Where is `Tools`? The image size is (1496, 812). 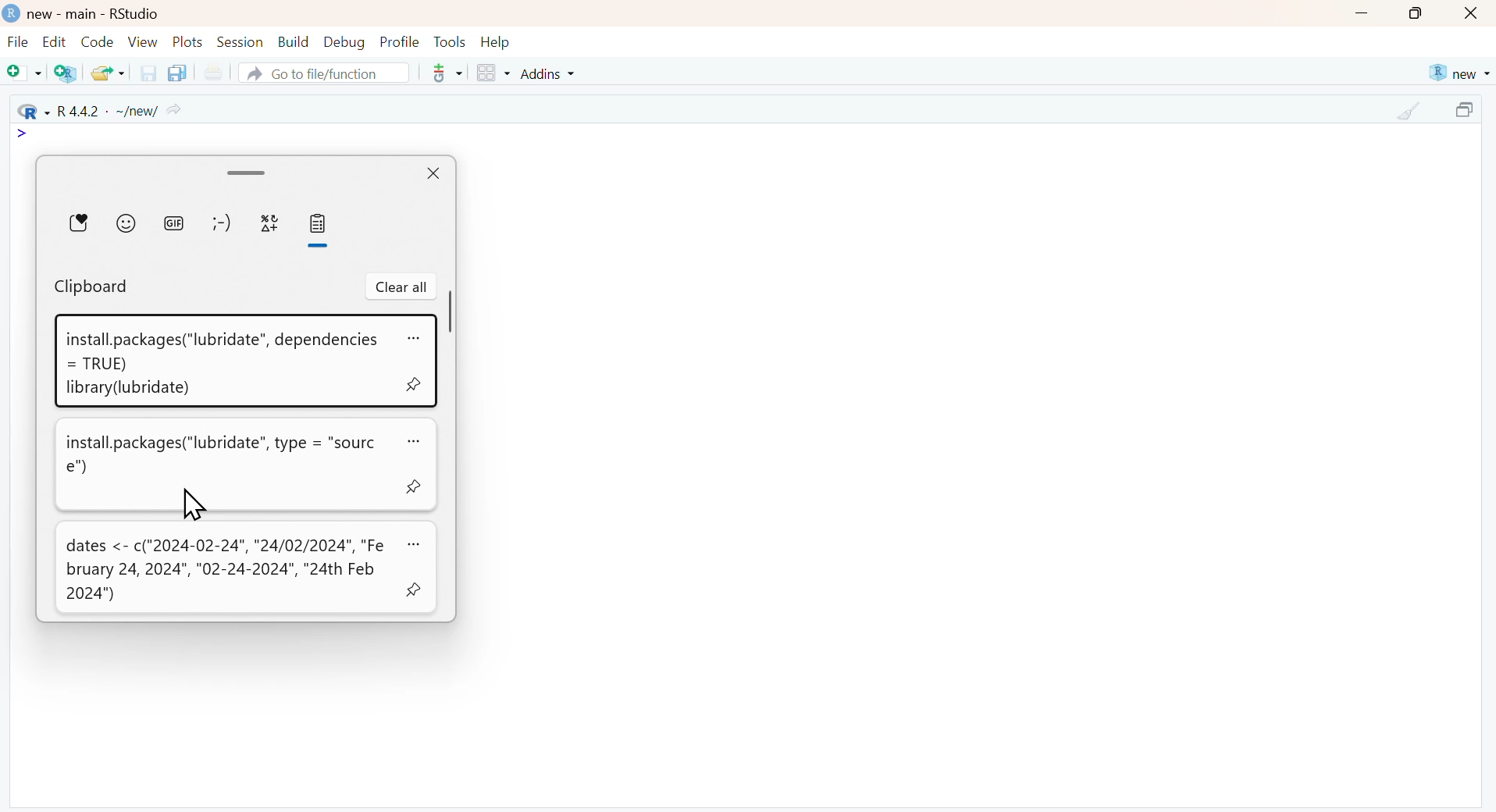 Tools is located at coordinates (450, 41).